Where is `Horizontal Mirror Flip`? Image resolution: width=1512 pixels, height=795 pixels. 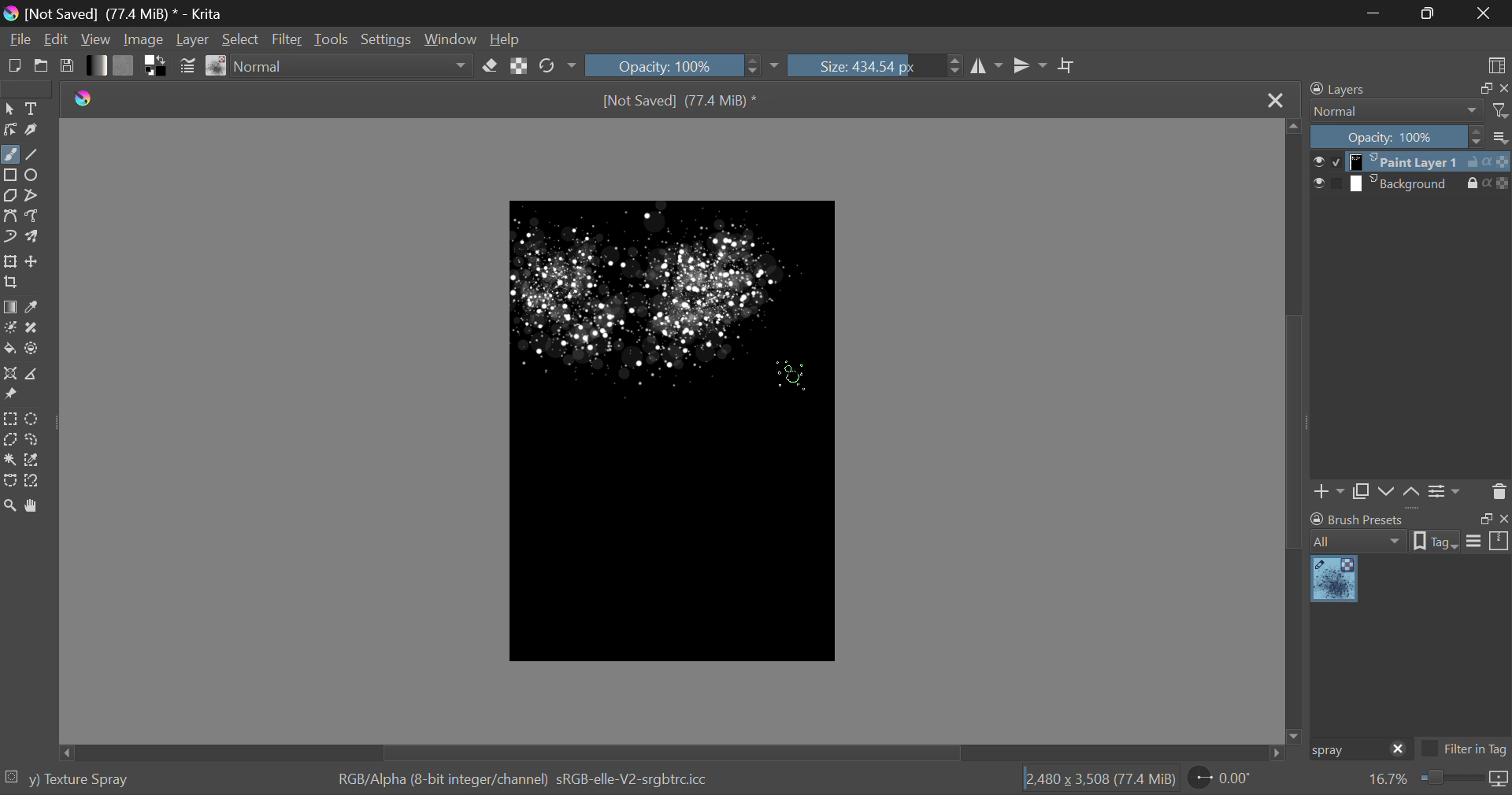 Horizontal Mirror Flip is located at coordinates (1030, 65).